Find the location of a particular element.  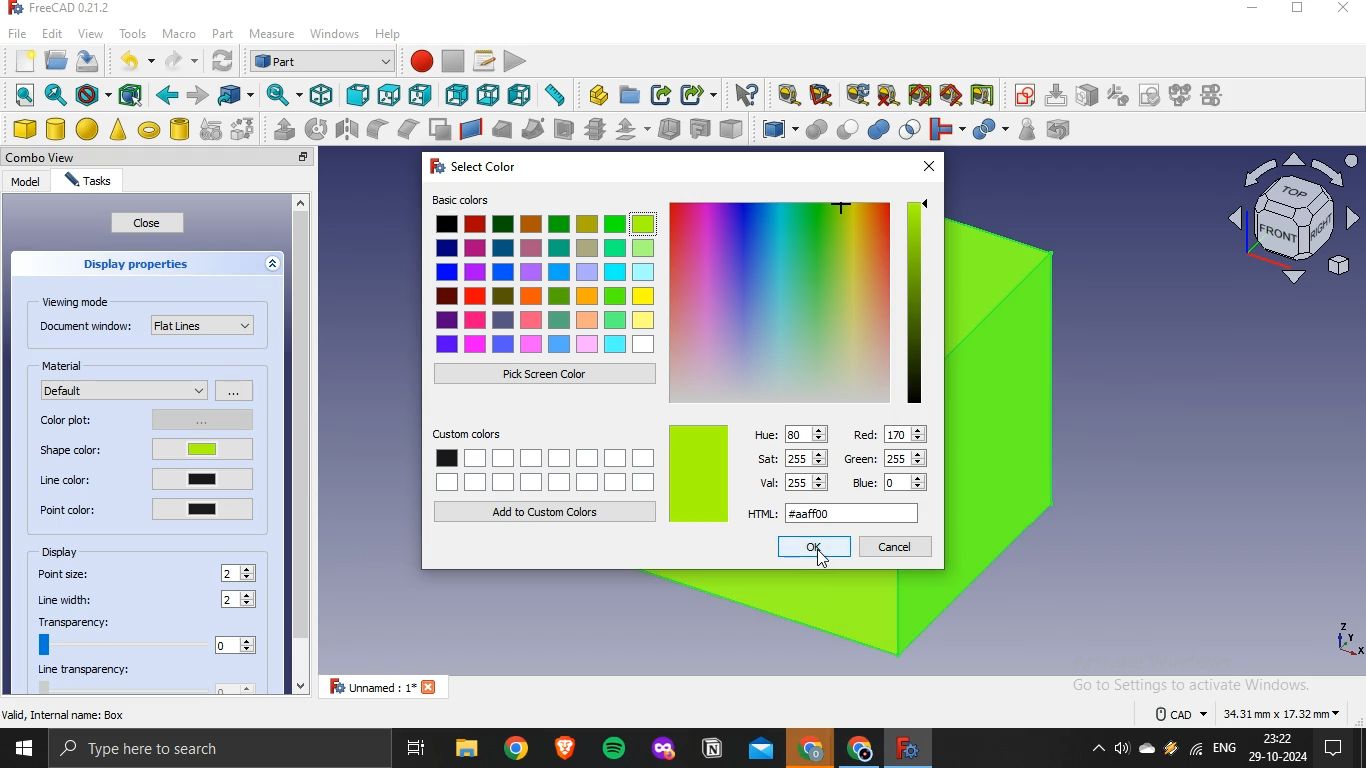

sat is located at coordinates (794, 456).